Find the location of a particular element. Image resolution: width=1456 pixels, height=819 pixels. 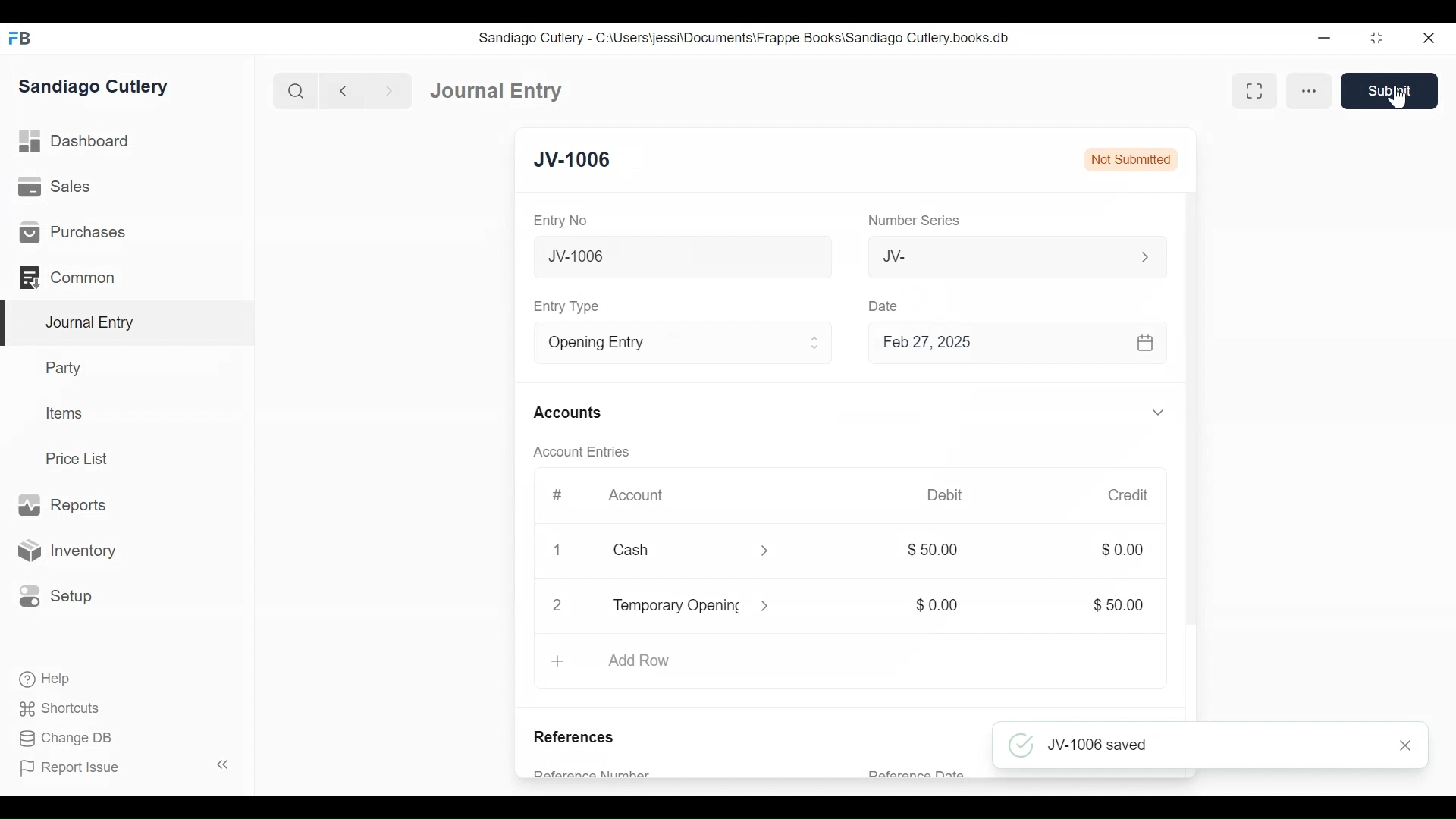

Submit is located at coordinates (1389, 91).